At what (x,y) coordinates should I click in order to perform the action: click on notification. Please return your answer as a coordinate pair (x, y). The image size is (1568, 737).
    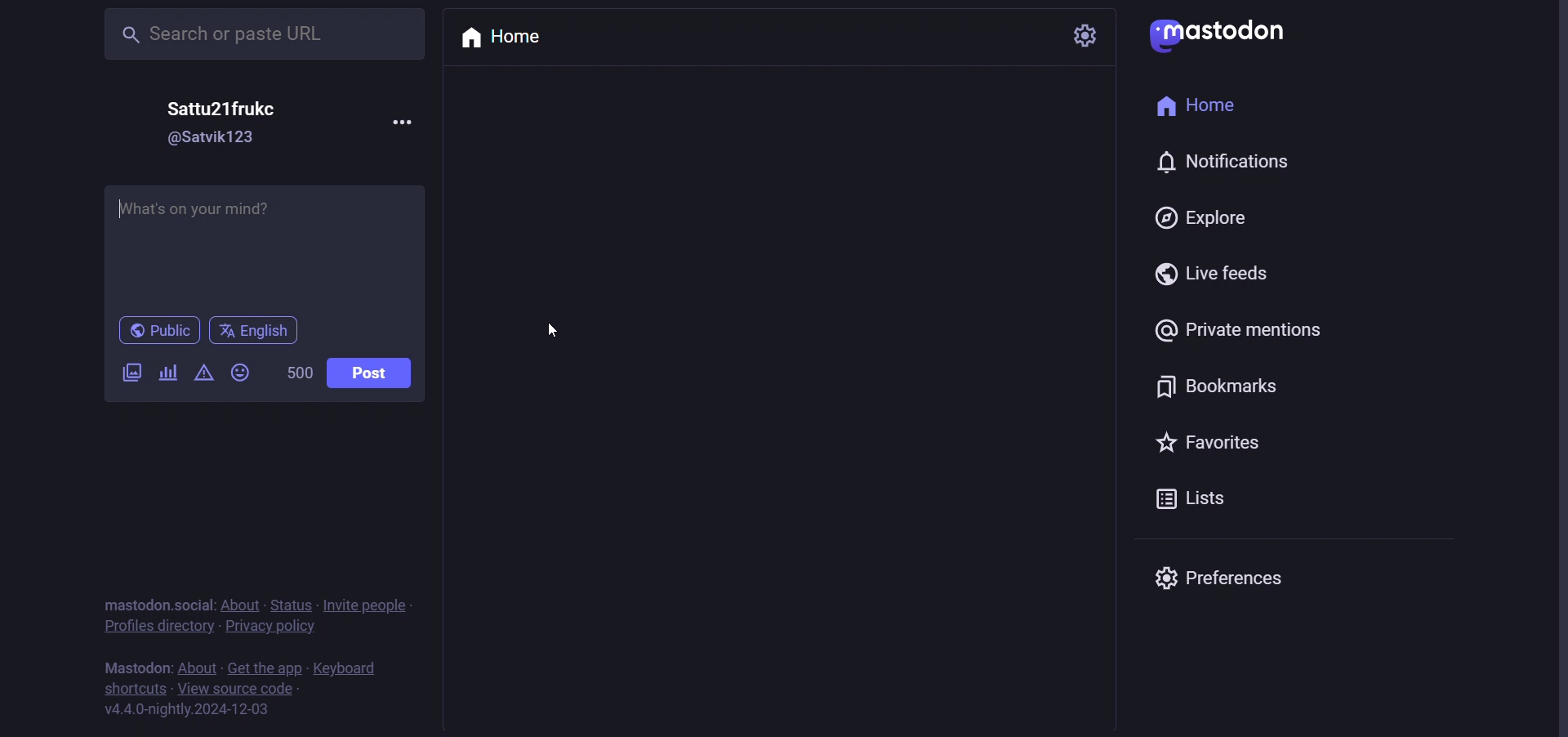
    Looking at the image, I should click on (1225, 157).